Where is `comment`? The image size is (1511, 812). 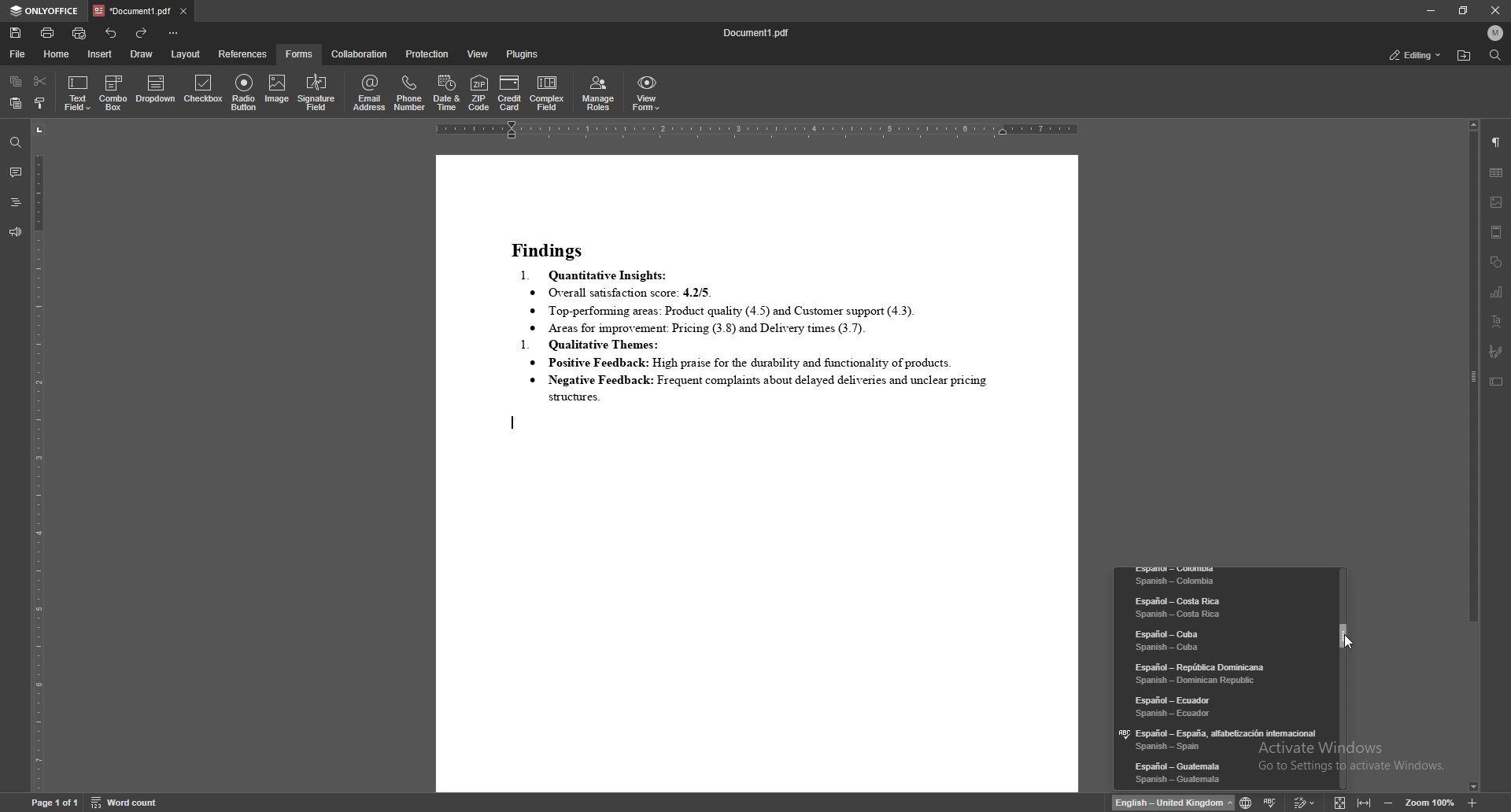
comment is located at coordinates (15, 172).